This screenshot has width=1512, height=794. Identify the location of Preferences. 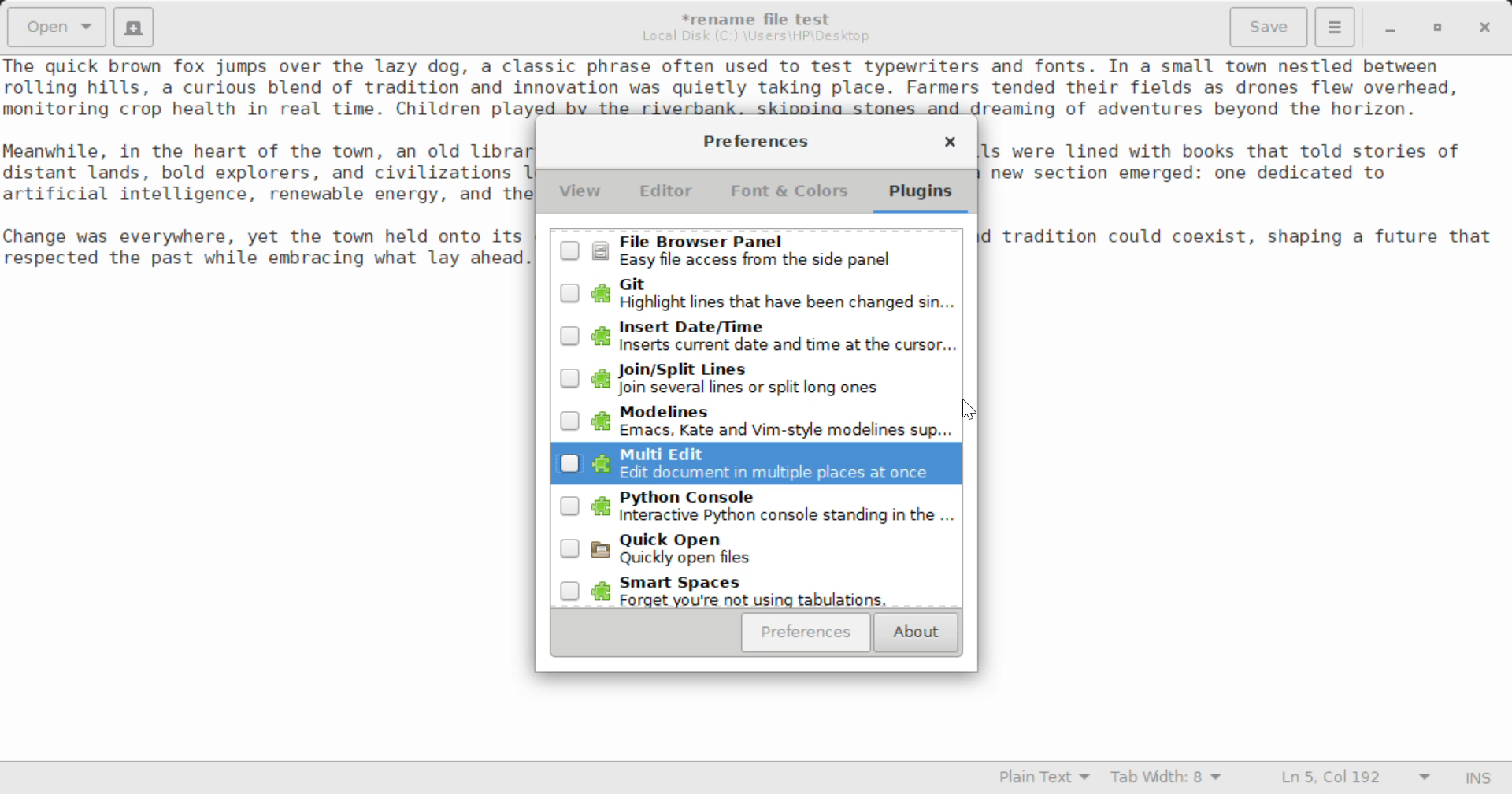
(806, 633).